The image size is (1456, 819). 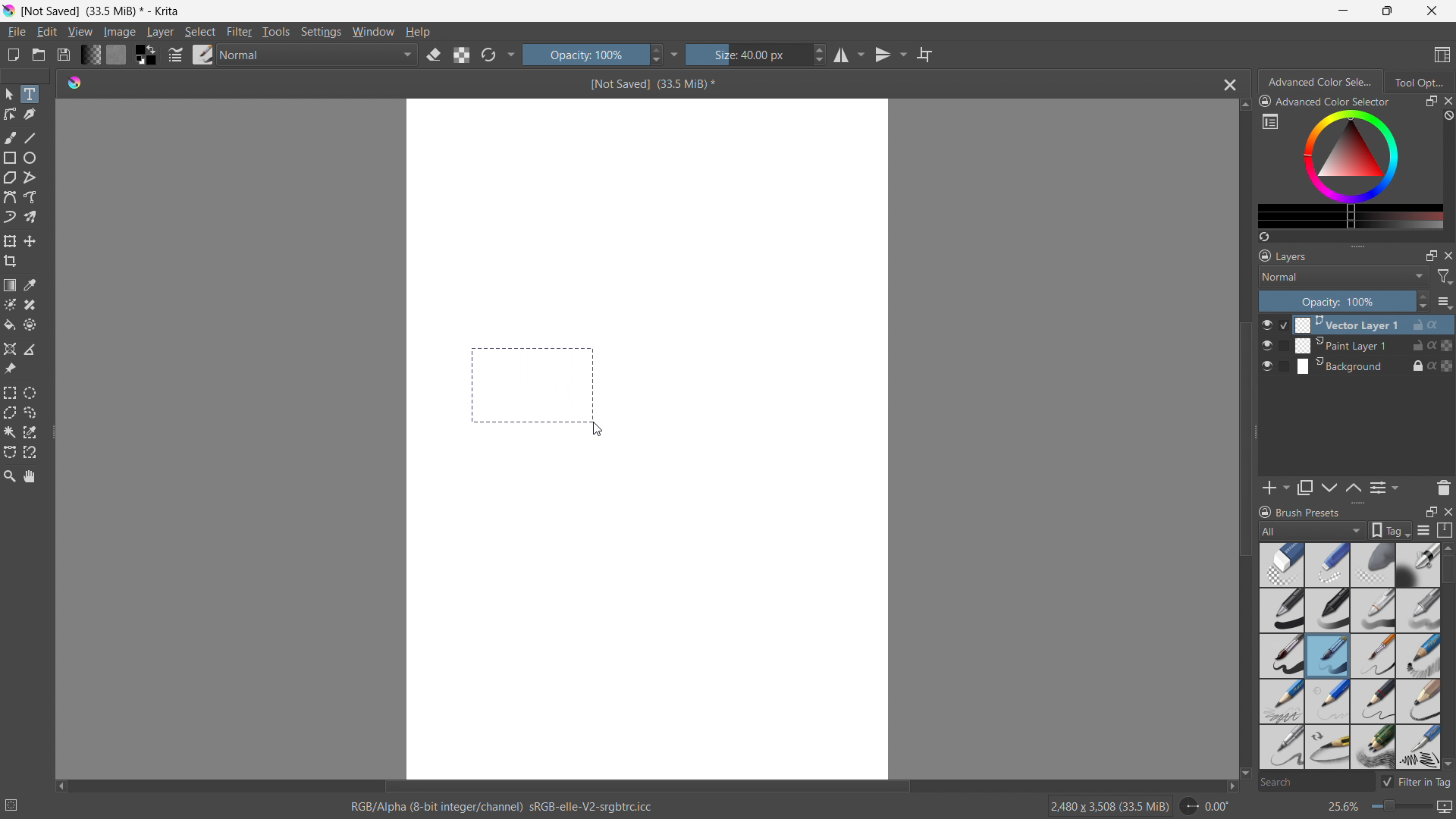 I want to click on maximize, so click(x=1431, y=255).